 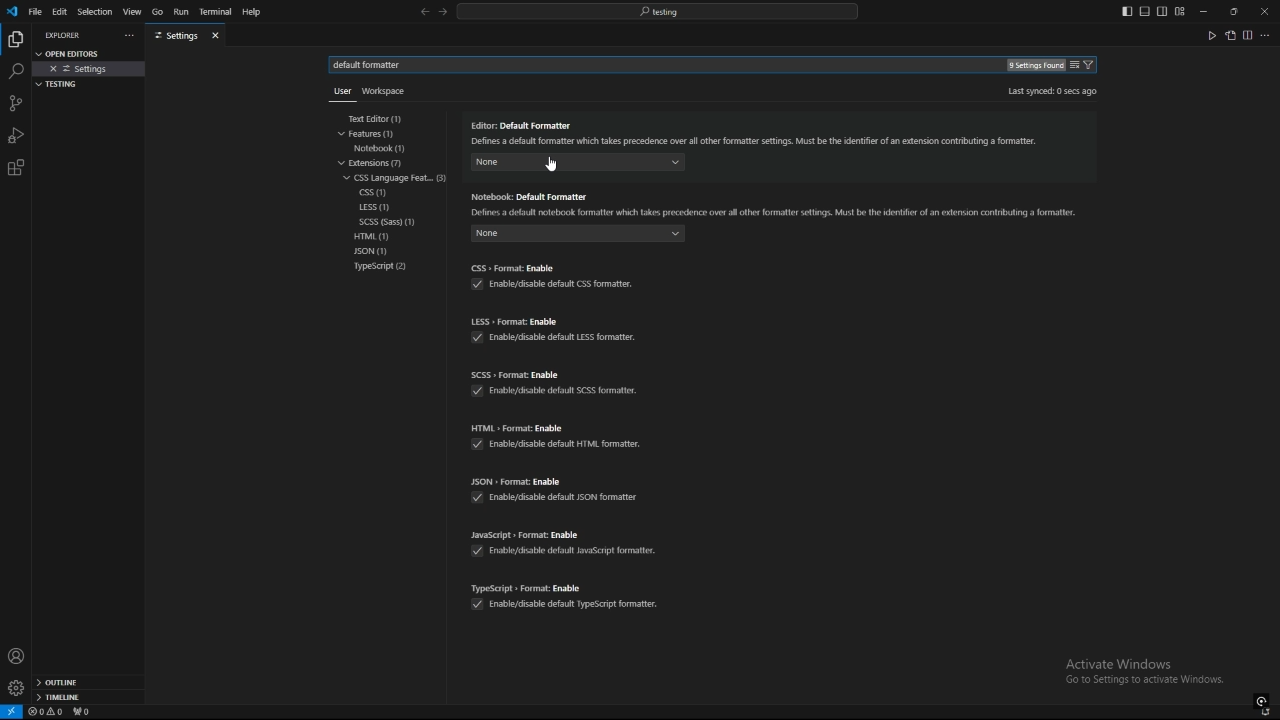 I want to click on profile, so click(x=16, y=656).